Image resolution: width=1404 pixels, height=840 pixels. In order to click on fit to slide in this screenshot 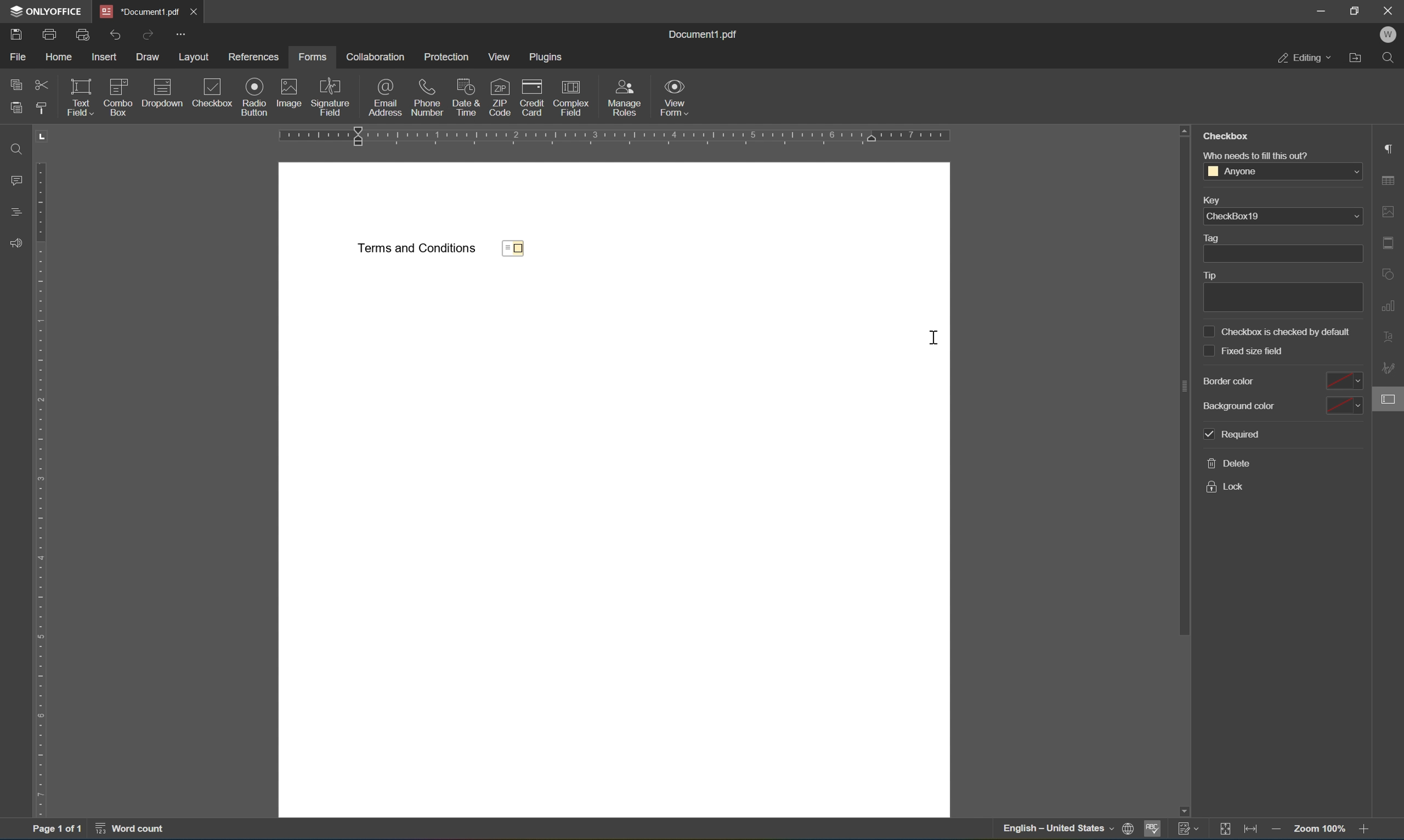, I will do `click(1222, 830)`.